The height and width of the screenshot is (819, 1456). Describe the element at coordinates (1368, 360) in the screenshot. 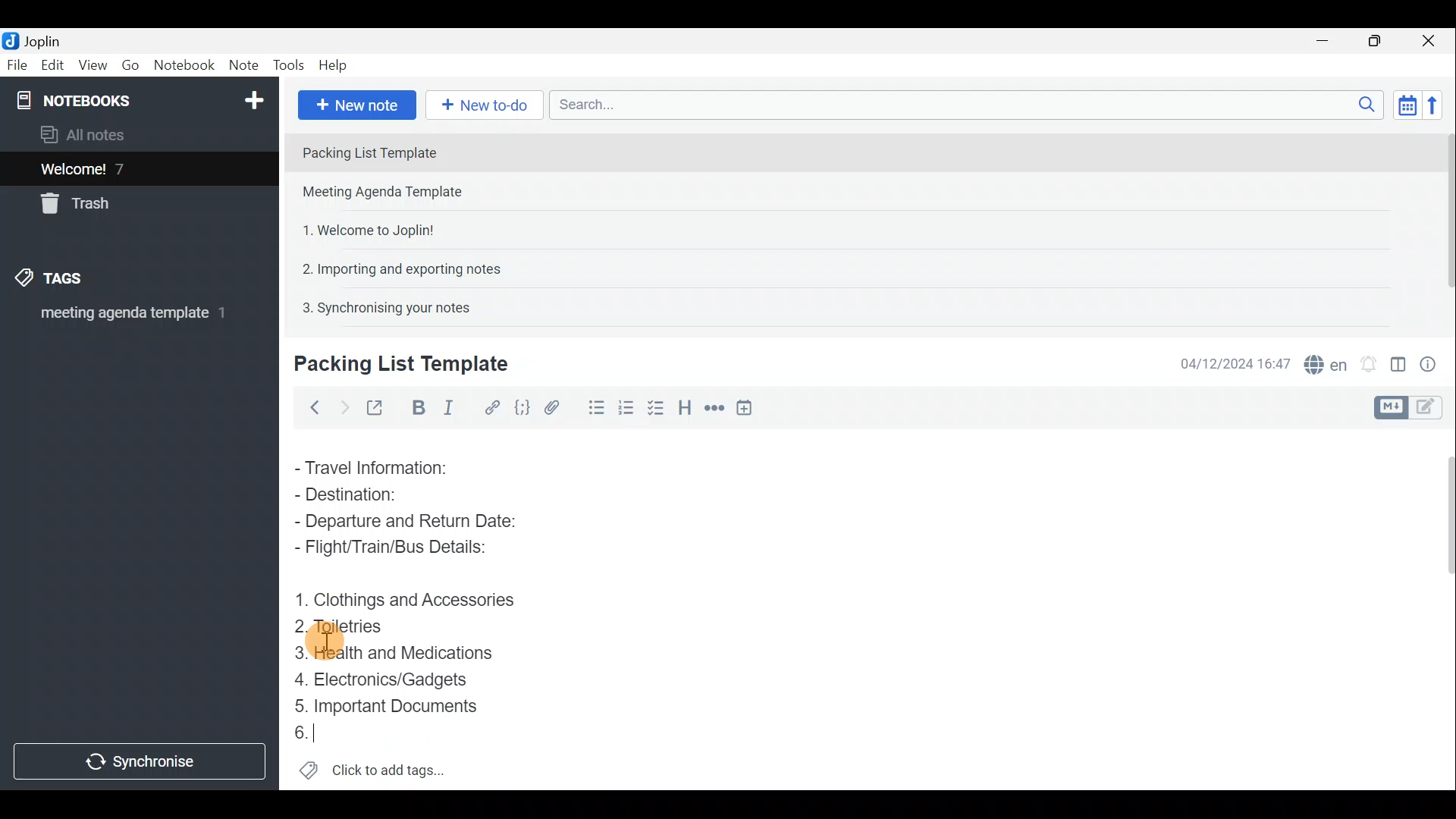

I see `Set alarm` at that location.